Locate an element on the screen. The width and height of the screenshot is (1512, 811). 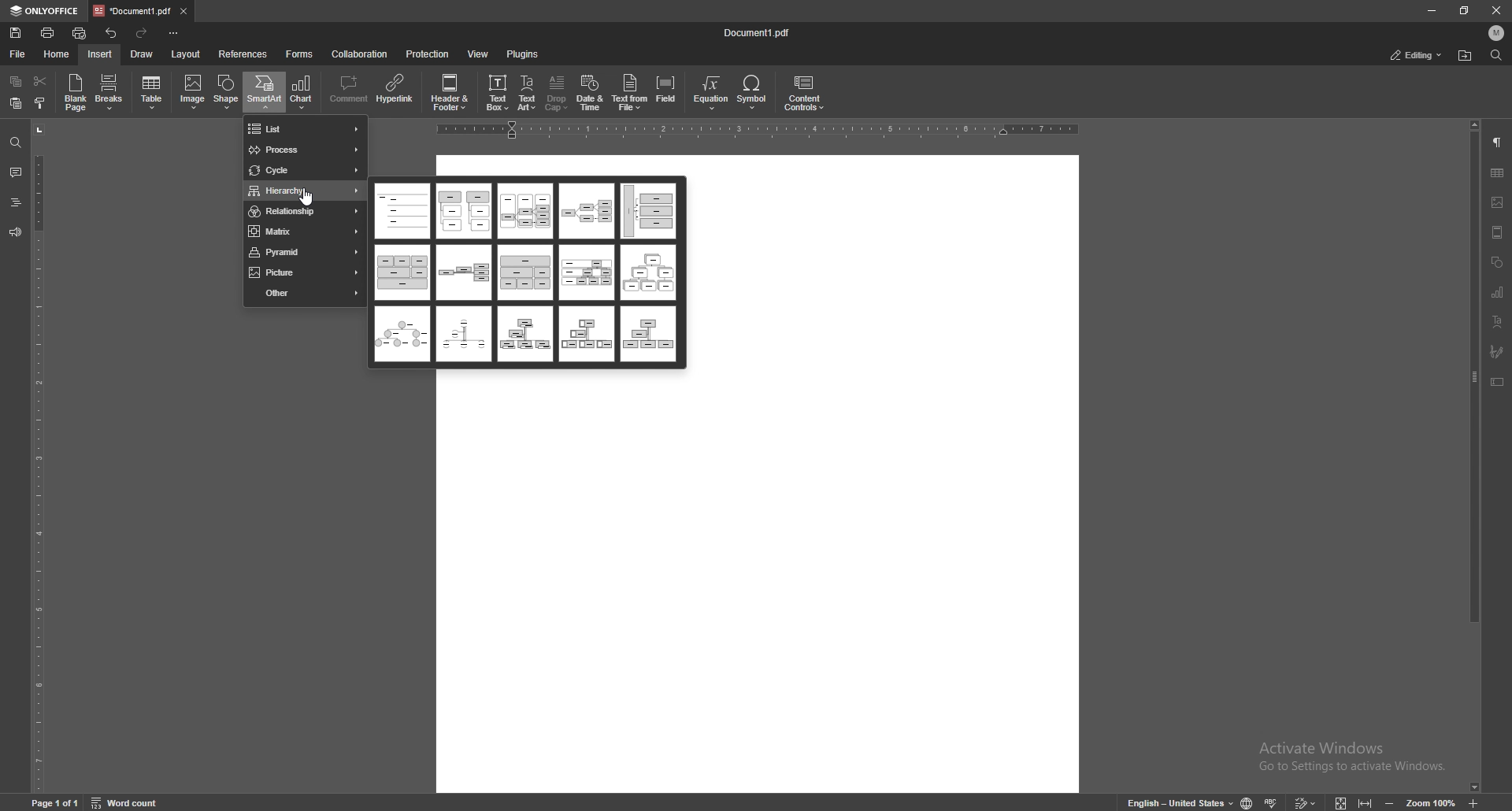
vertical scale is located at coordinates (38, 456).